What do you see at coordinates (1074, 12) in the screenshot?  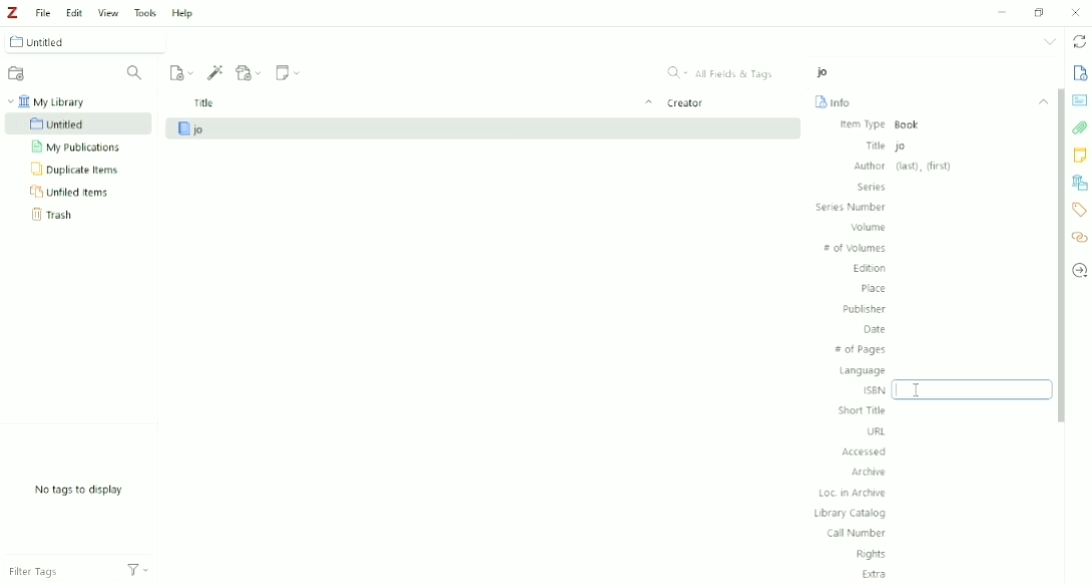 I see `Close` at bounding box center [1074, 12].